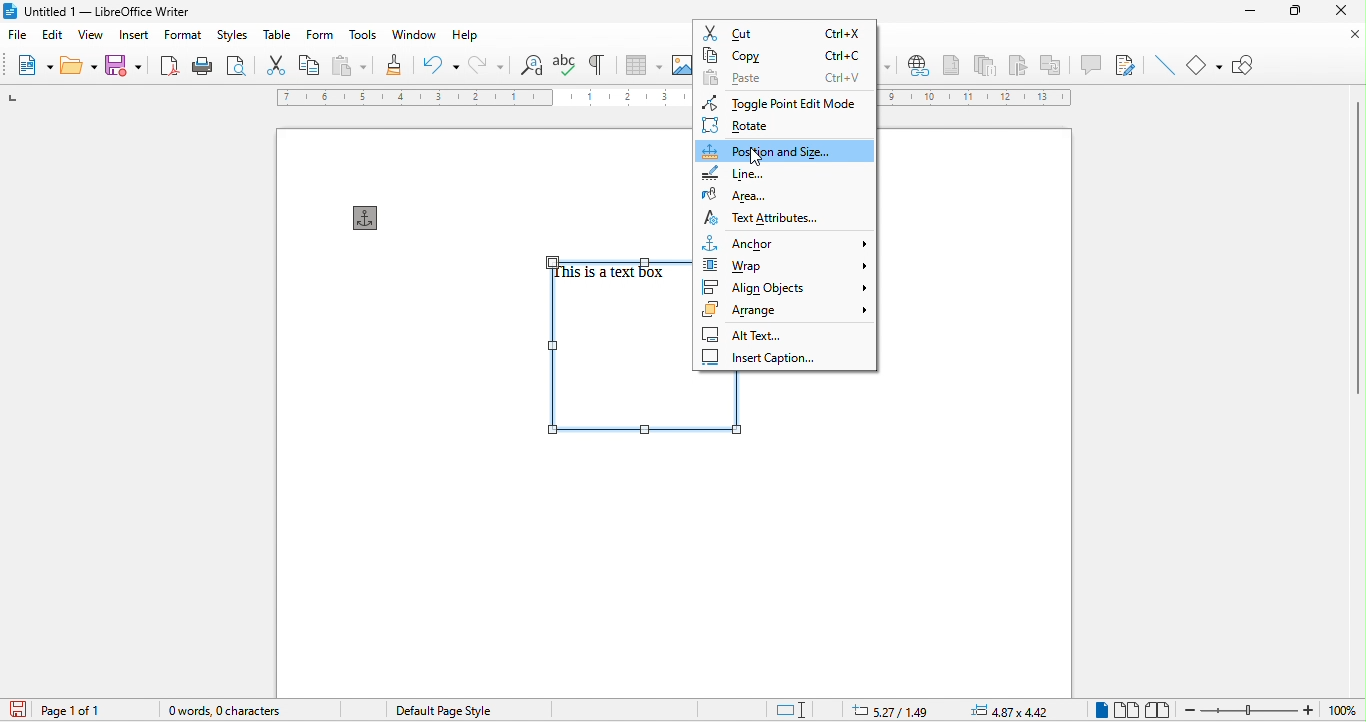  I want to click on save, so click(128, 64).